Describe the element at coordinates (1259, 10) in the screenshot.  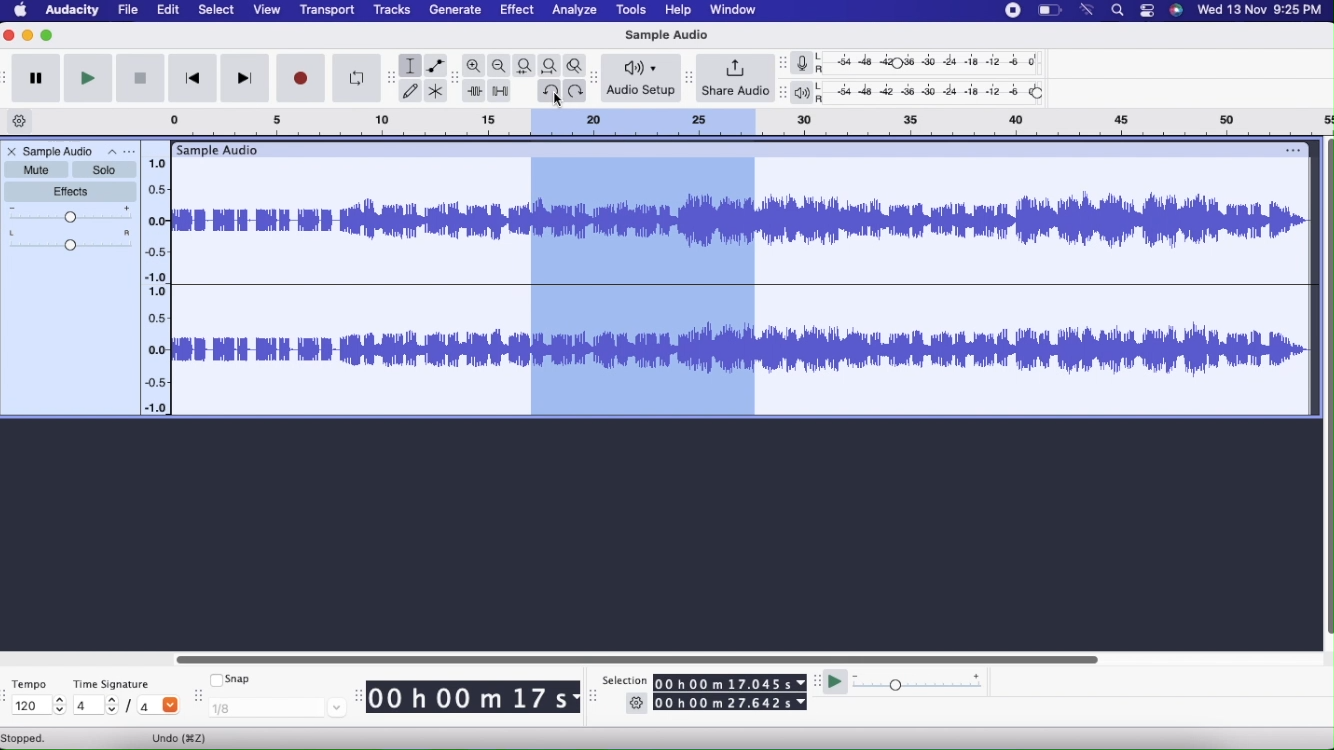
I see `date and time` at that location.